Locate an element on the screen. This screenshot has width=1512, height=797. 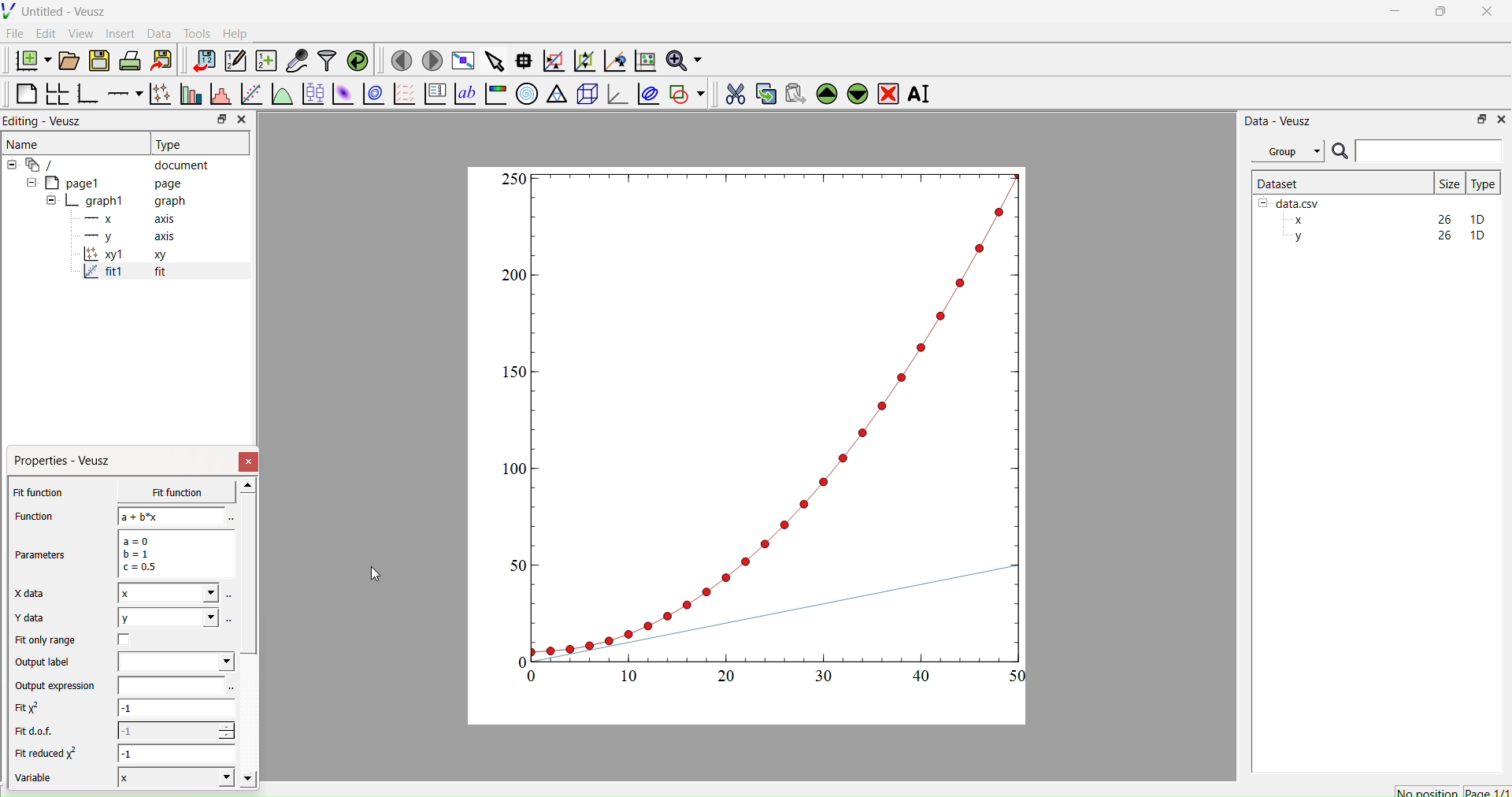
Help is located at coordinates (233, 33).